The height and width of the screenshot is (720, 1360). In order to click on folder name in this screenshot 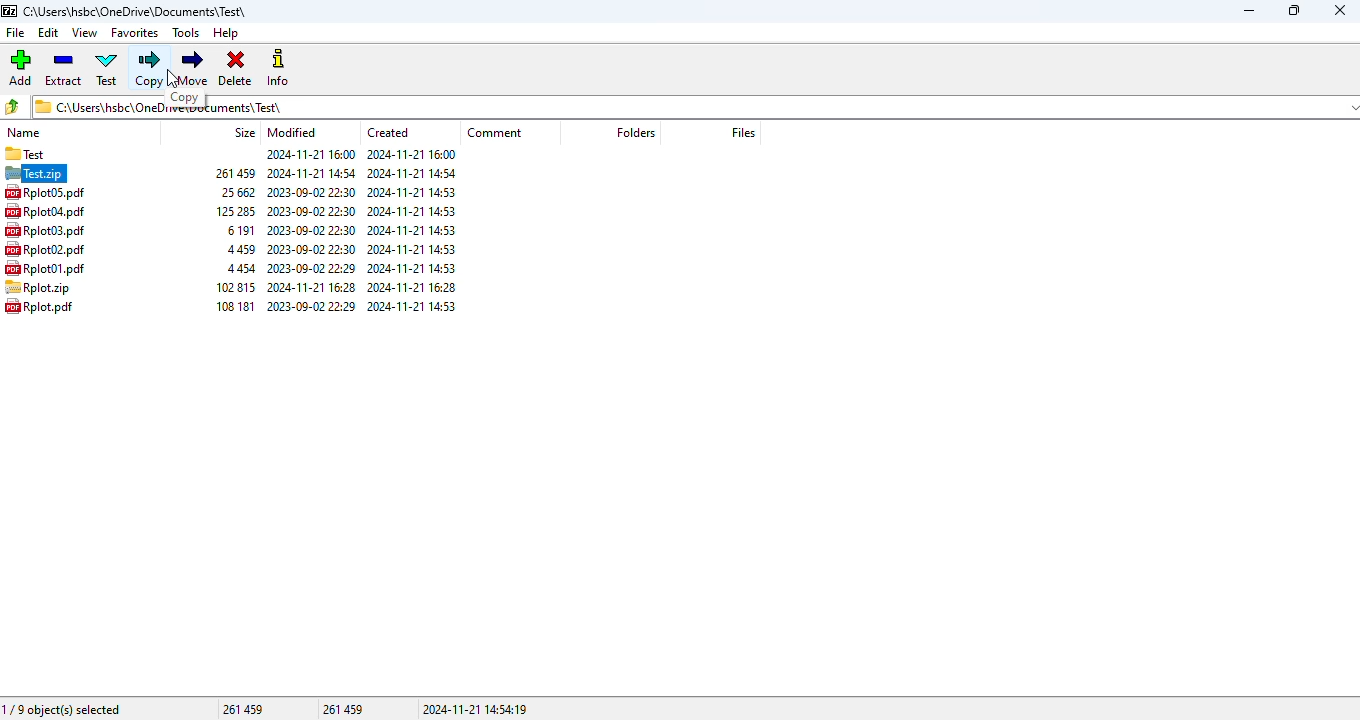, I will do `click(135, 11)`.